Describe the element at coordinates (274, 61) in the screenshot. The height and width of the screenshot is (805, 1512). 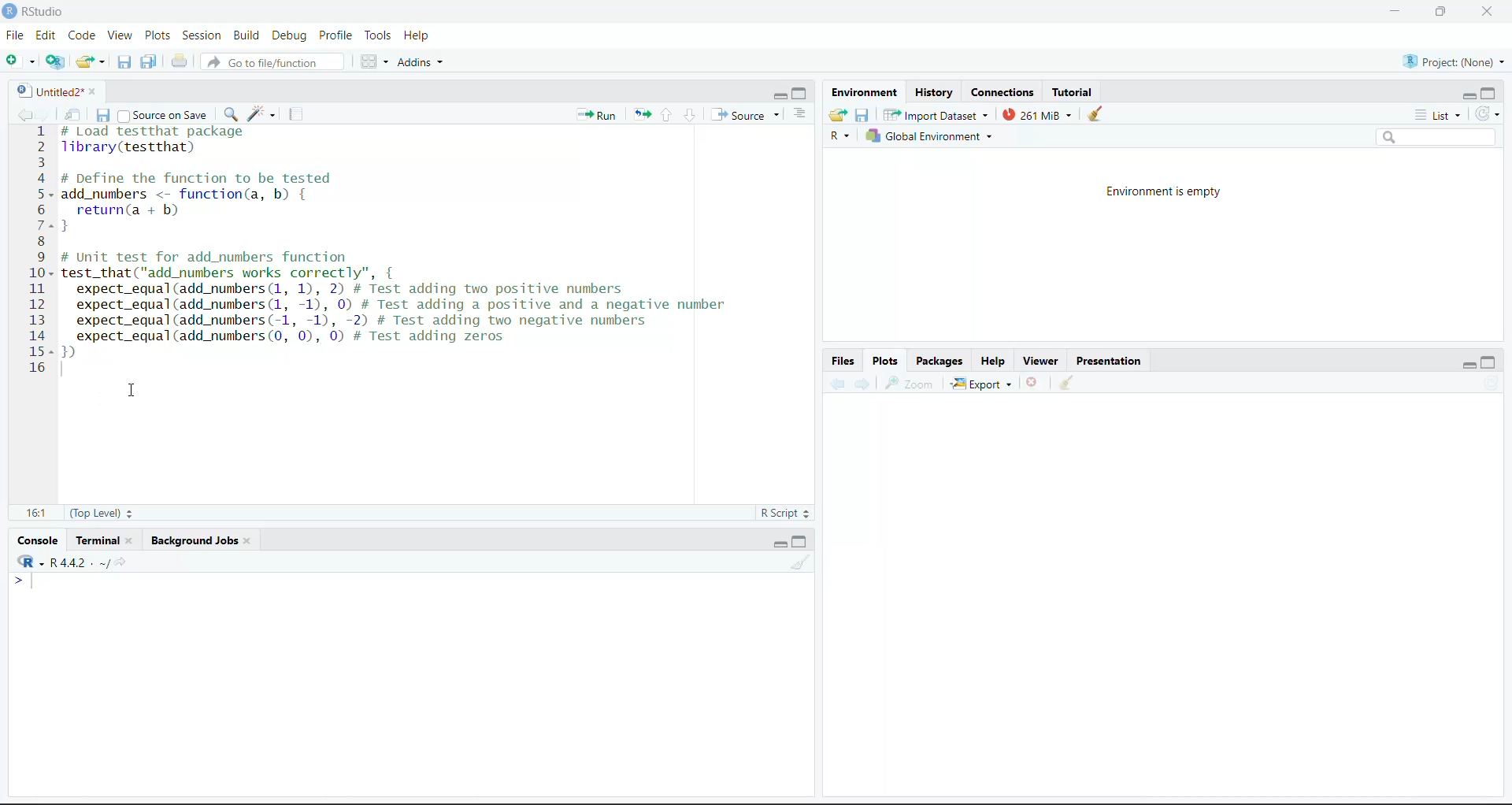
I see `Go to file/function` at that location.